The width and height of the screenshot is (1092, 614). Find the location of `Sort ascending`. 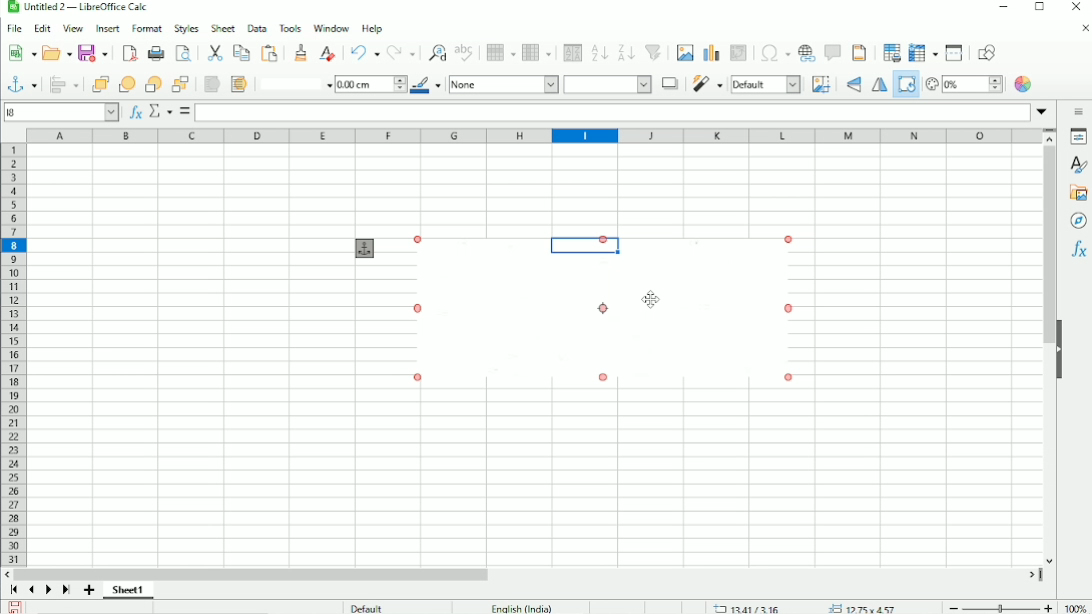

Sort ascending is located at coordinates (599, 53).